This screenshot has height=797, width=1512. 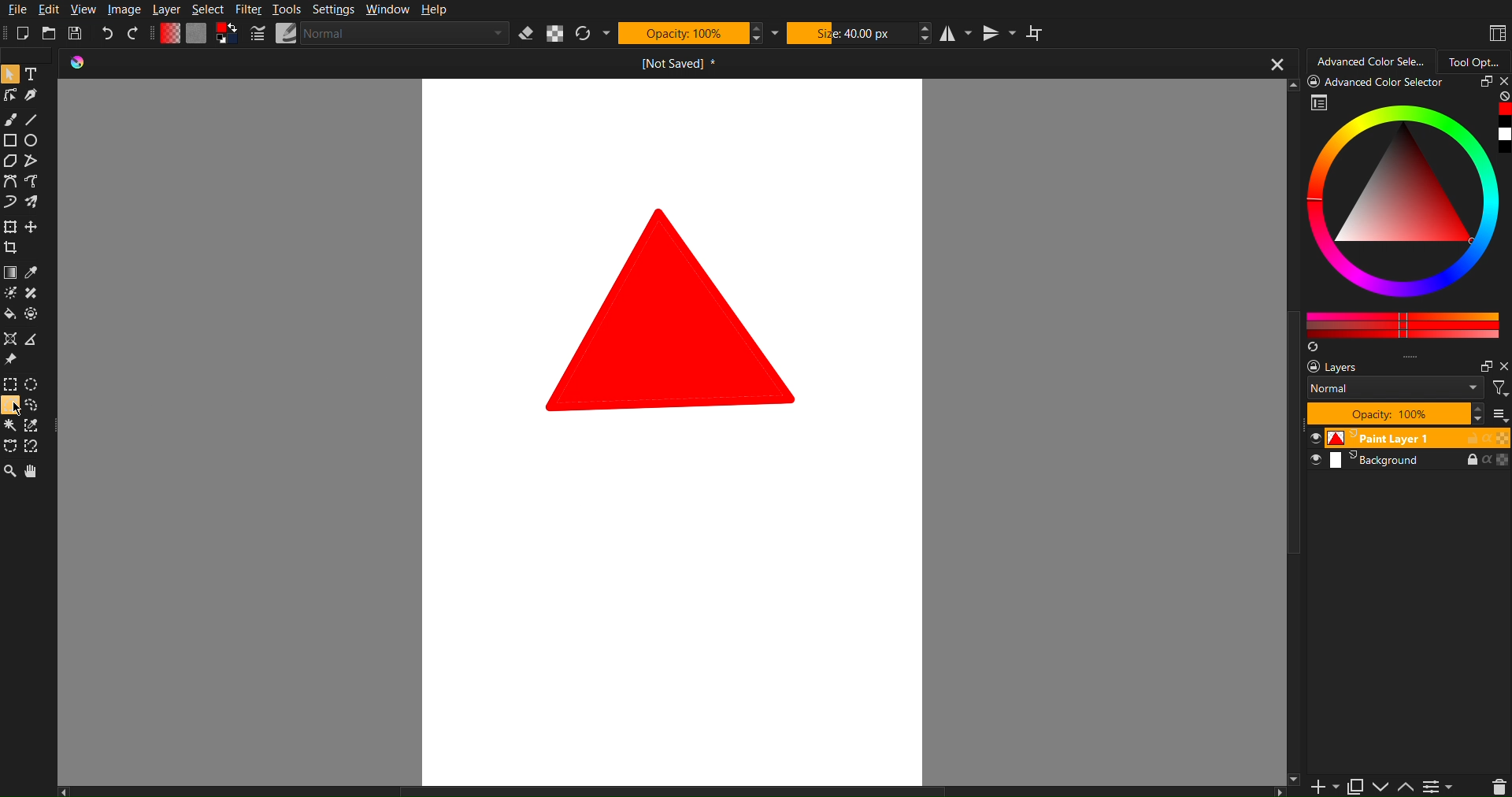 I want to click on Down, so click(x=1381, y=787).